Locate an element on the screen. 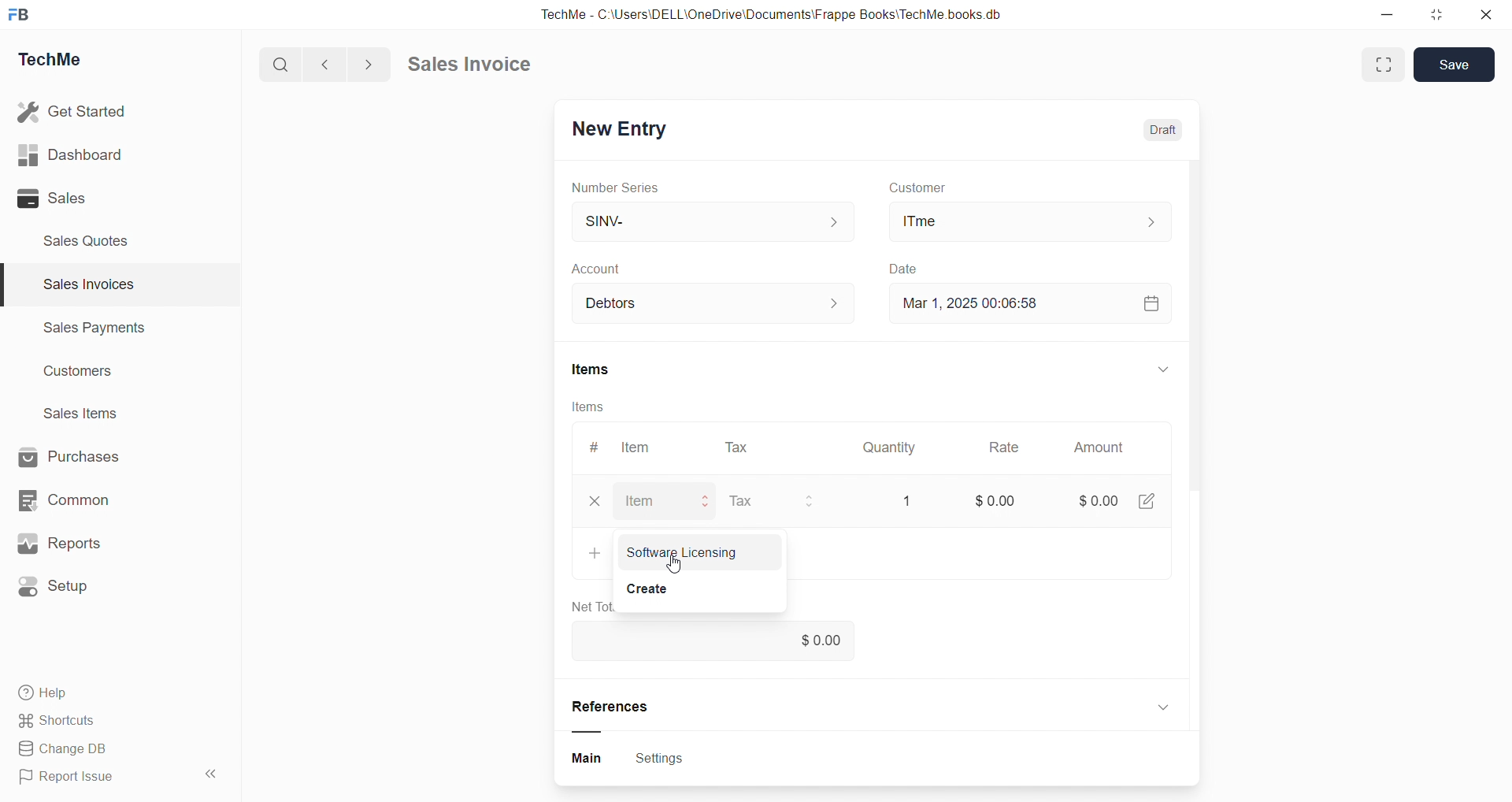  Draft is located at coordinates (1169, 132).